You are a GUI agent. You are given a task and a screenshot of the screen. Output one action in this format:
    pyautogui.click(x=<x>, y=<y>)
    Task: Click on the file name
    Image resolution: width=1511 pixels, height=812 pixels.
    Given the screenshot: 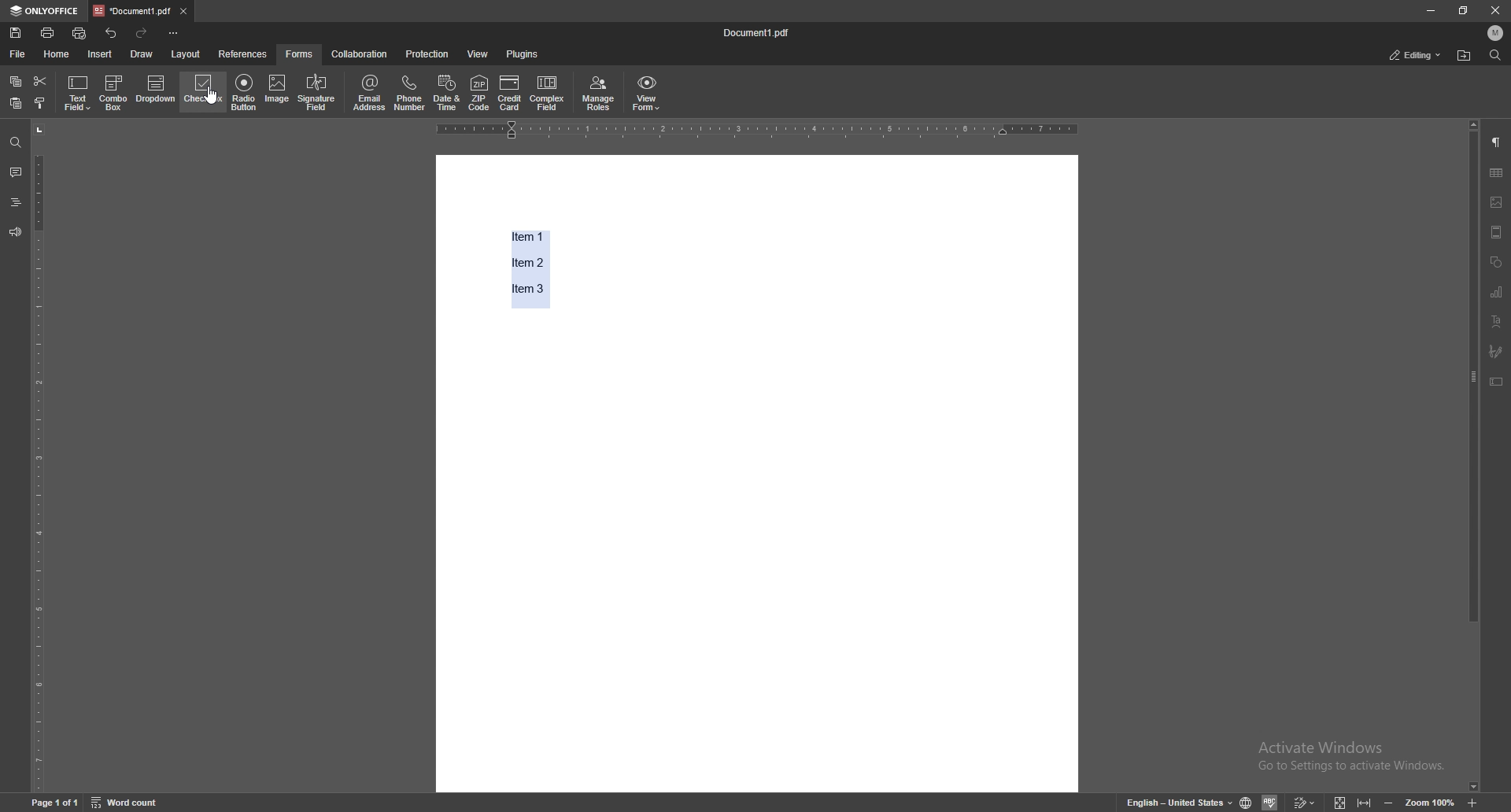 What is the action you would take?
    pyautogui.click(x=759, y=31)
    